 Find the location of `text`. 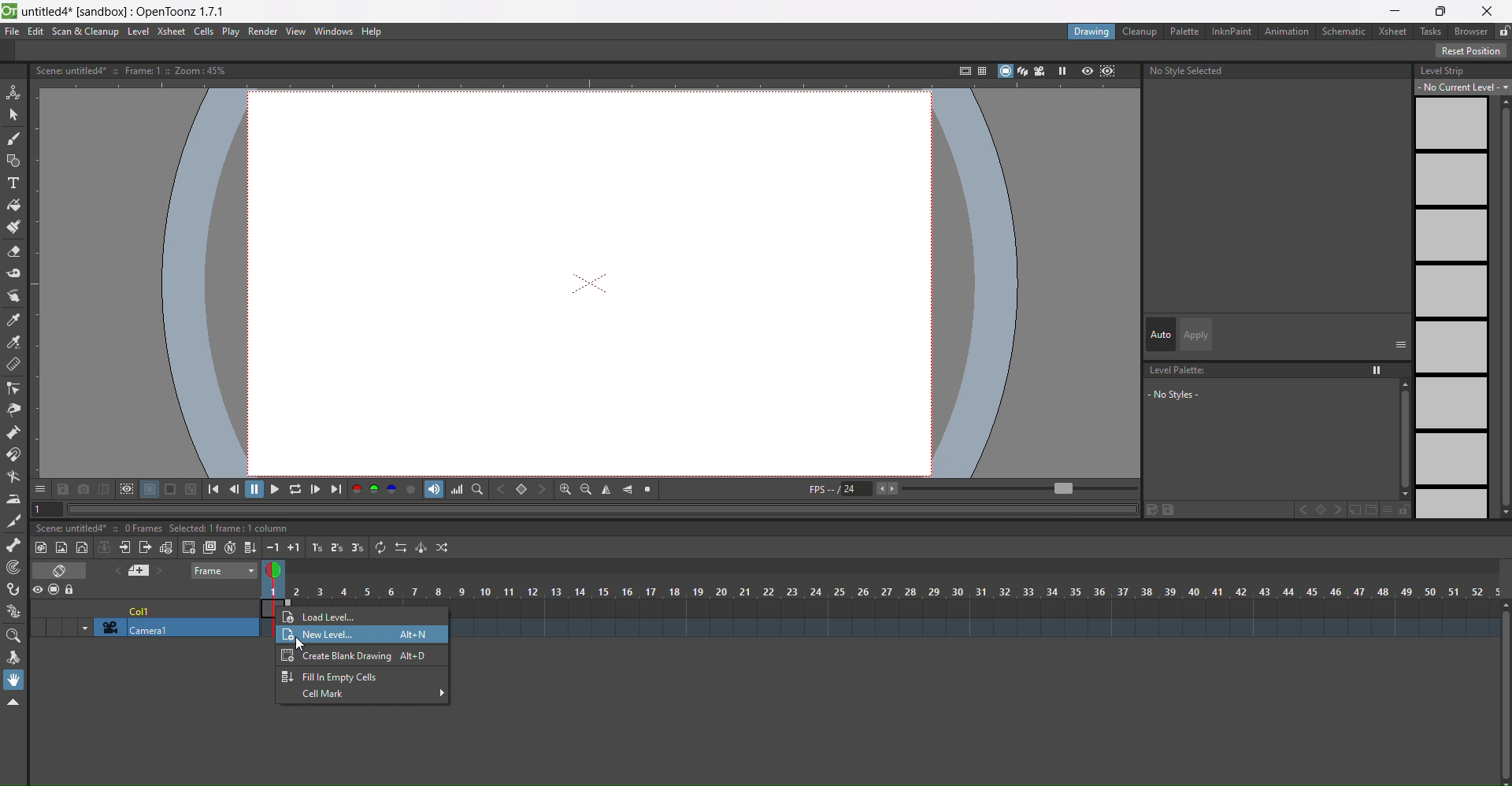

text is located at coordinates (135, 70).